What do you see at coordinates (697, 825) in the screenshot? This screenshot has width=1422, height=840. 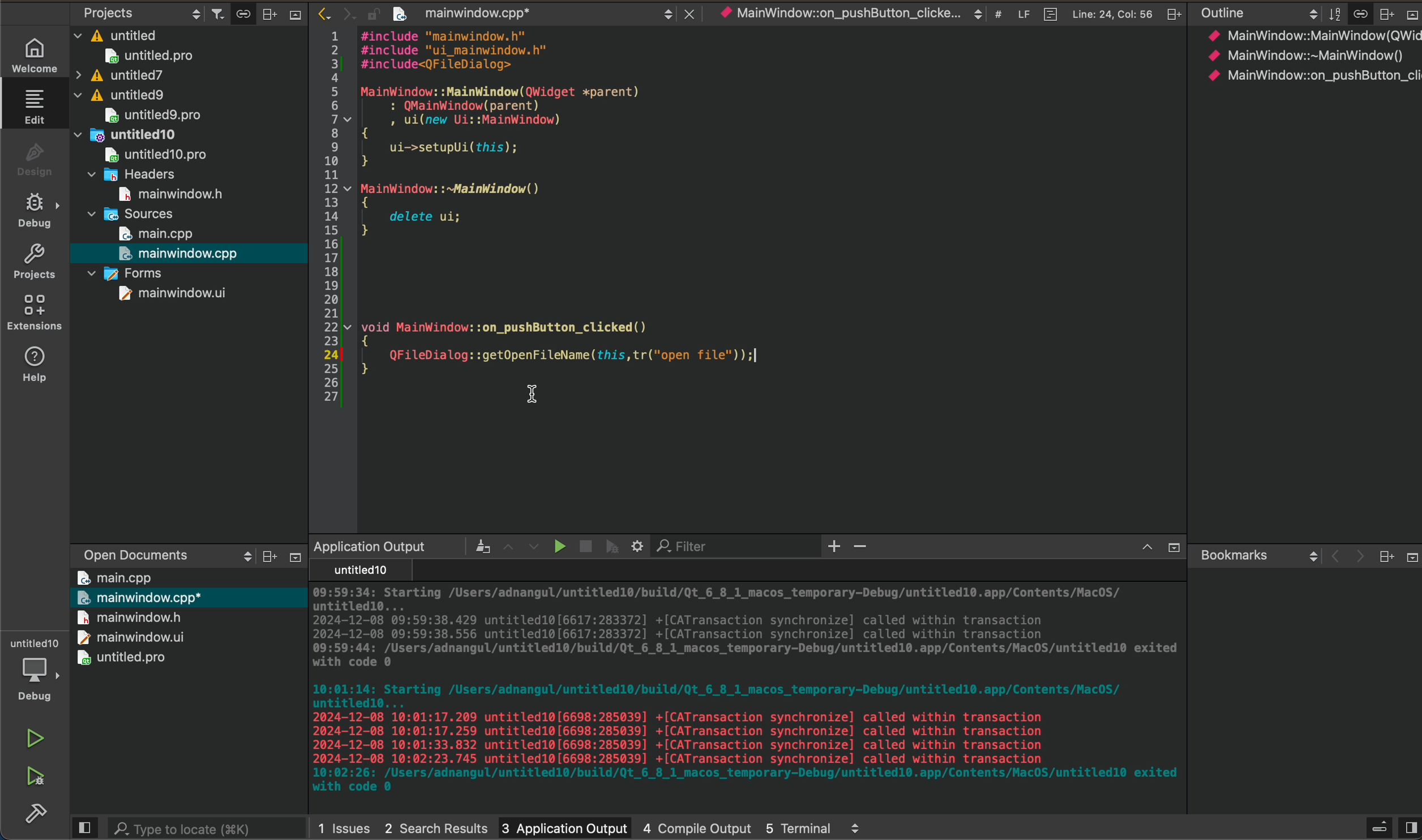 I see `4 Compile output` at bounding box center [697, 825].